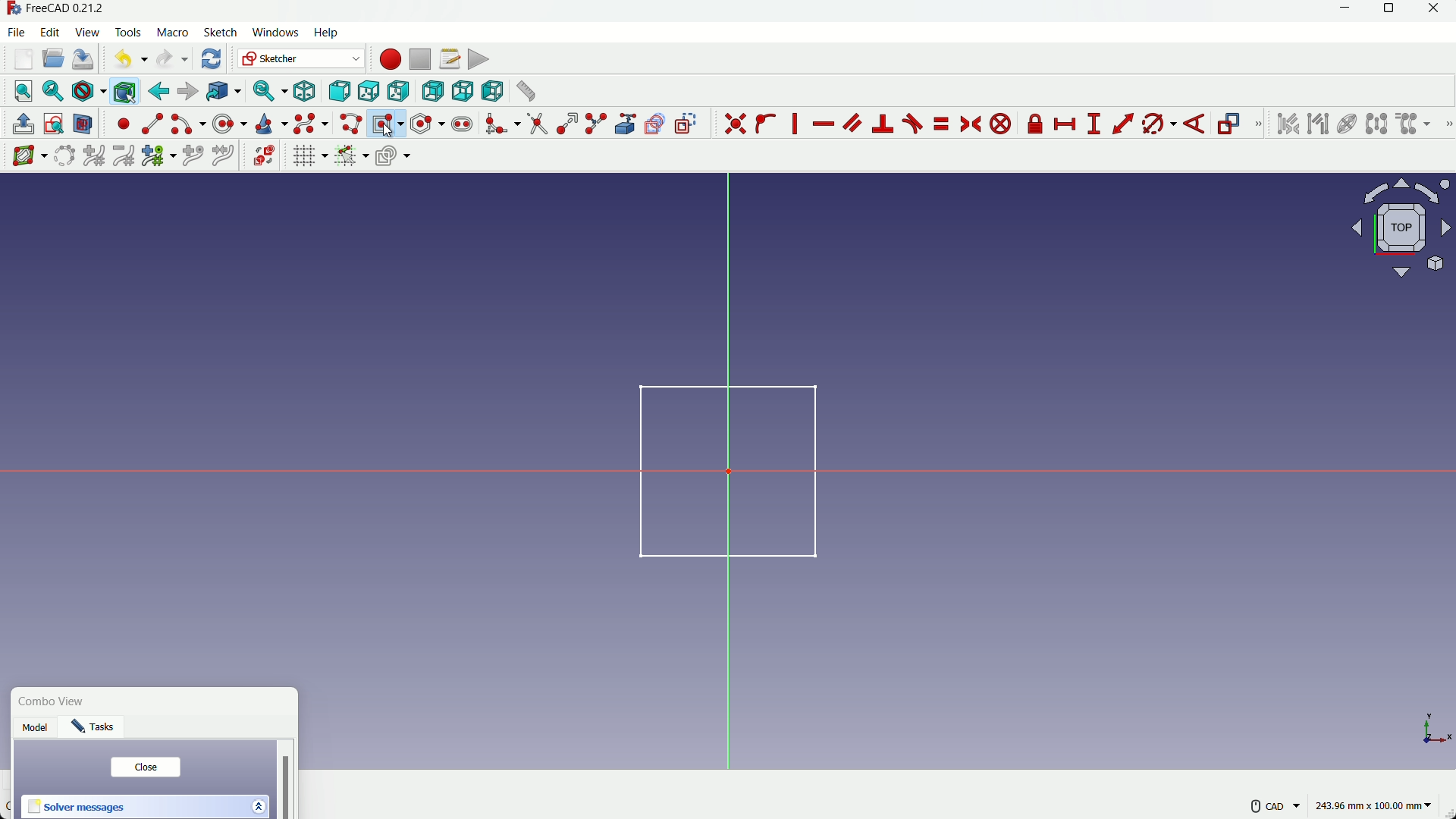 Image resolution: width=1456 pixels, height=819 pixels. What do you see at coordinates (97, 730) in the screenshot?
I see `tasks` at bounding box center [97, 730].